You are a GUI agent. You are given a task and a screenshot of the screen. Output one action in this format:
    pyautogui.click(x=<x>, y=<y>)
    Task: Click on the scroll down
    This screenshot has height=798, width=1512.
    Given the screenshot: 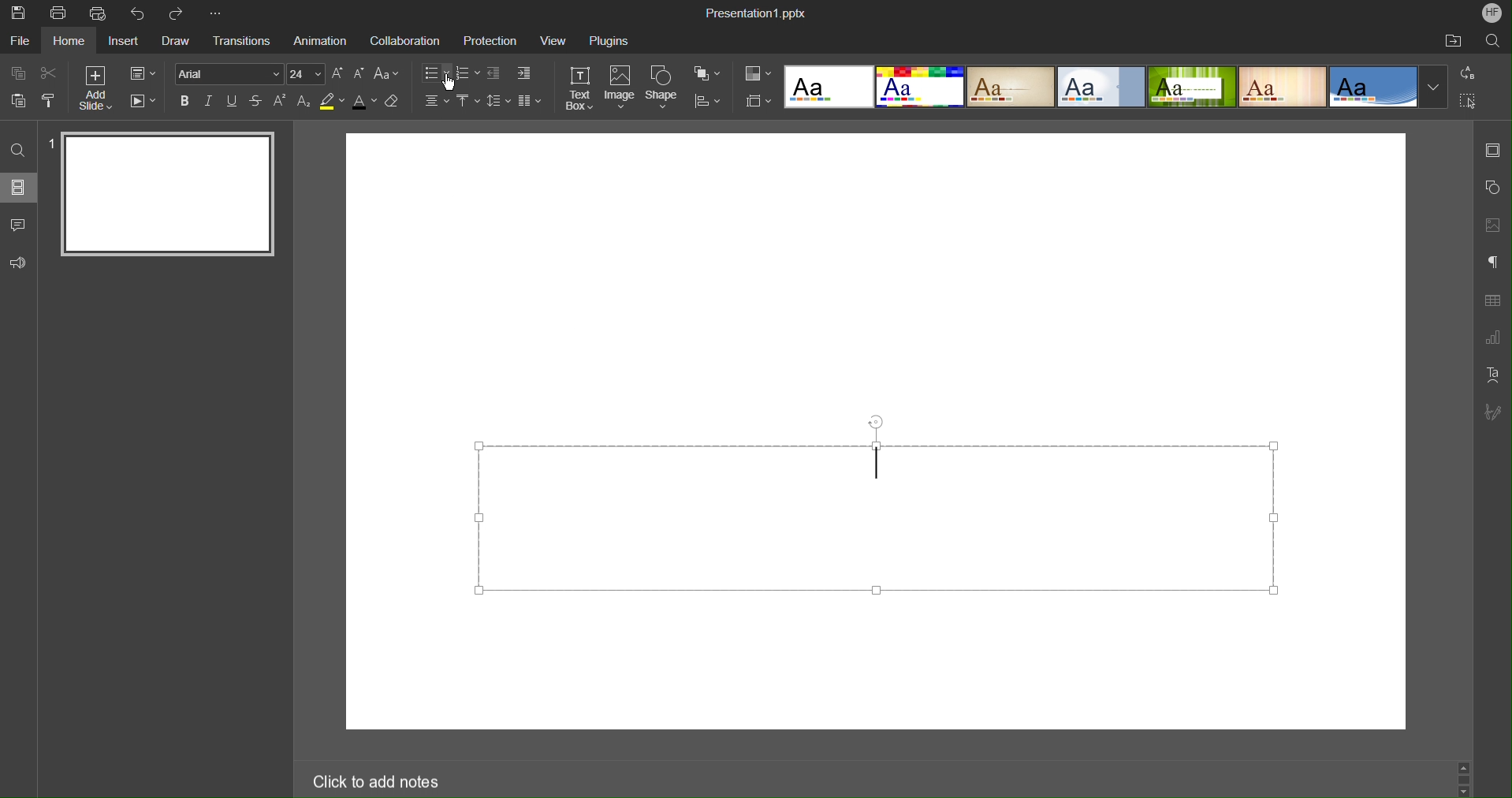 What is the action you would take?
    pyautogui.click(x=1463, y=792)
    